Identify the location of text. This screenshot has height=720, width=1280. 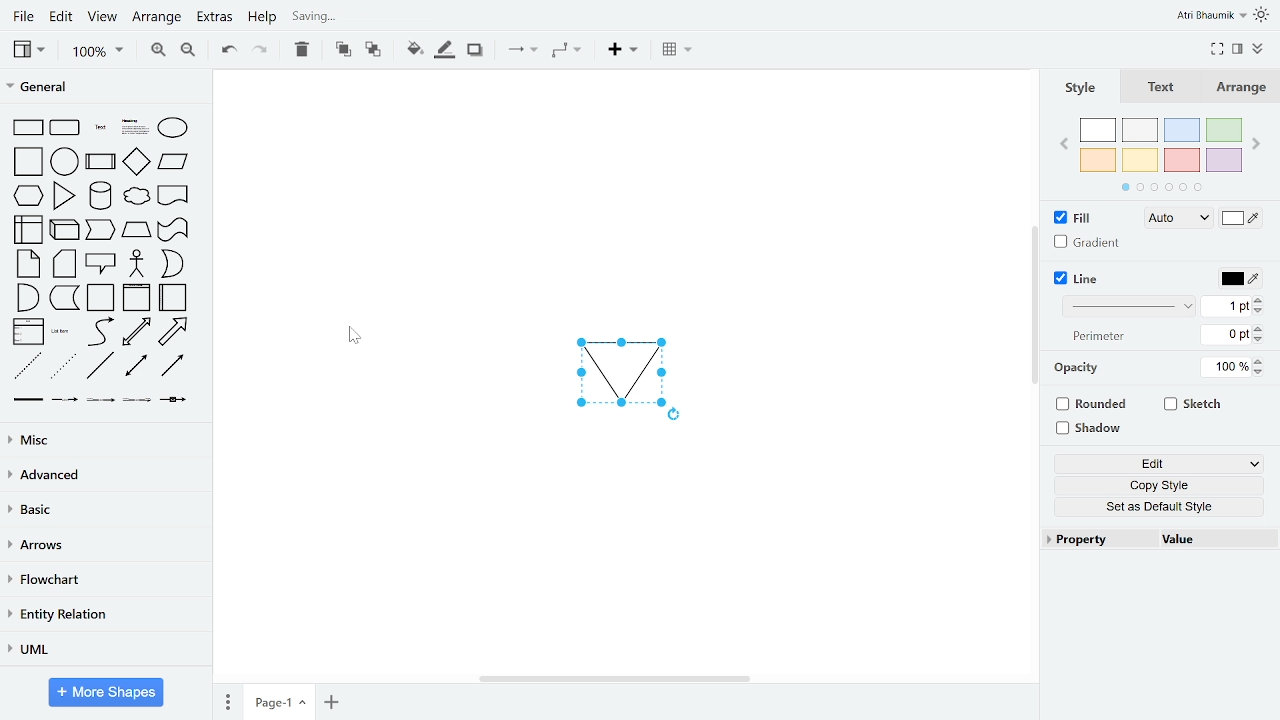
(1162, 87).